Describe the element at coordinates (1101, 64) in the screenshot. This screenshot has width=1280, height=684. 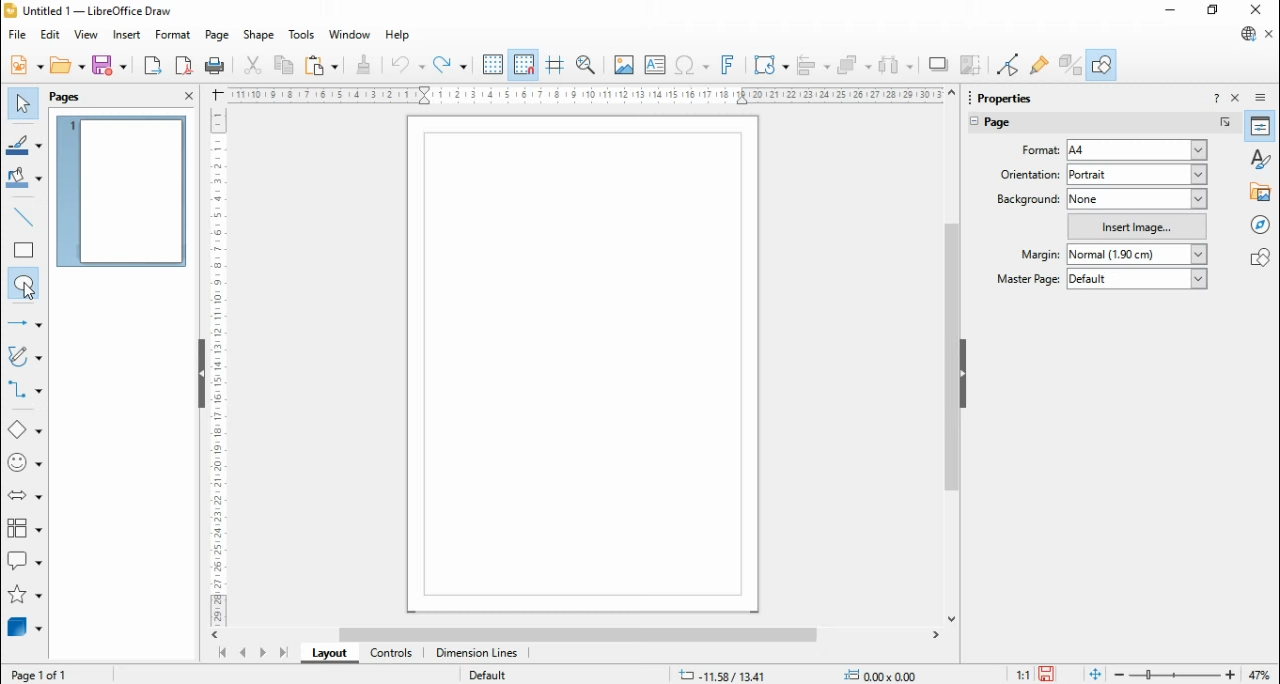
I see `show draw functions` at that location.